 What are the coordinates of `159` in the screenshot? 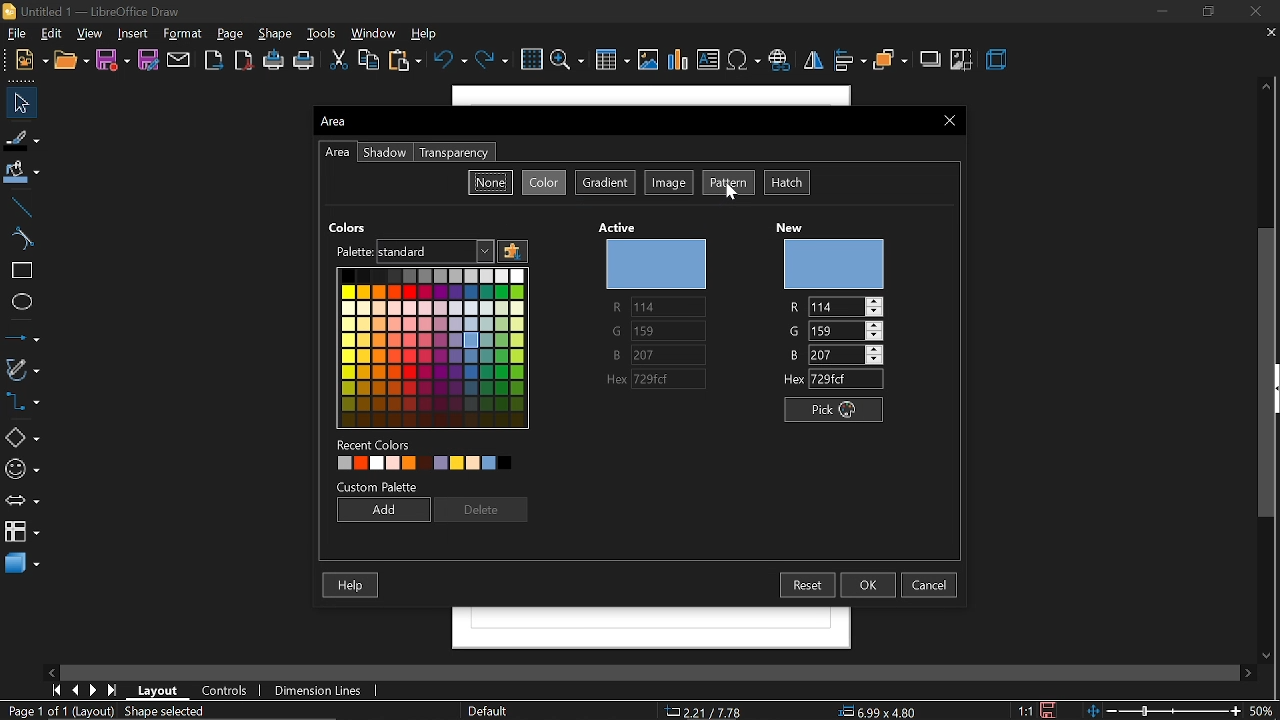 It's located at (852, 329).